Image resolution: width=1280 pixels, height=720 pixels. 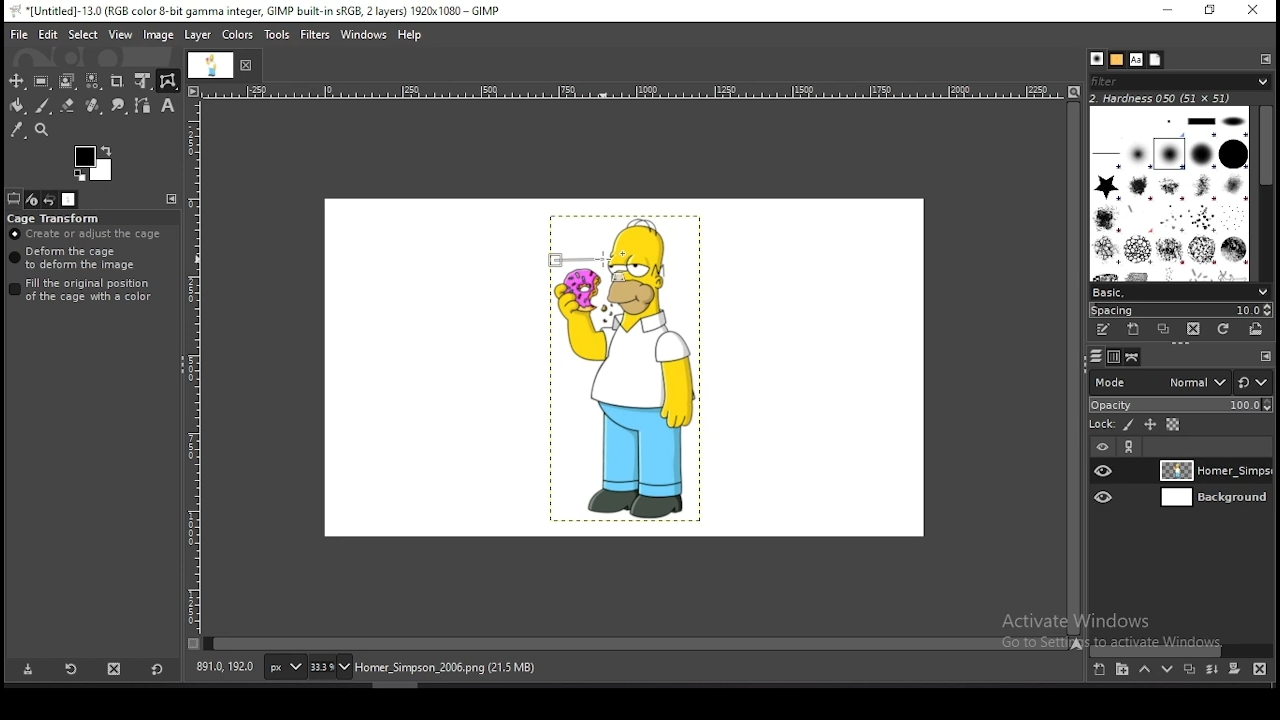 I want to click on close window, so click(x=1252, y=12).